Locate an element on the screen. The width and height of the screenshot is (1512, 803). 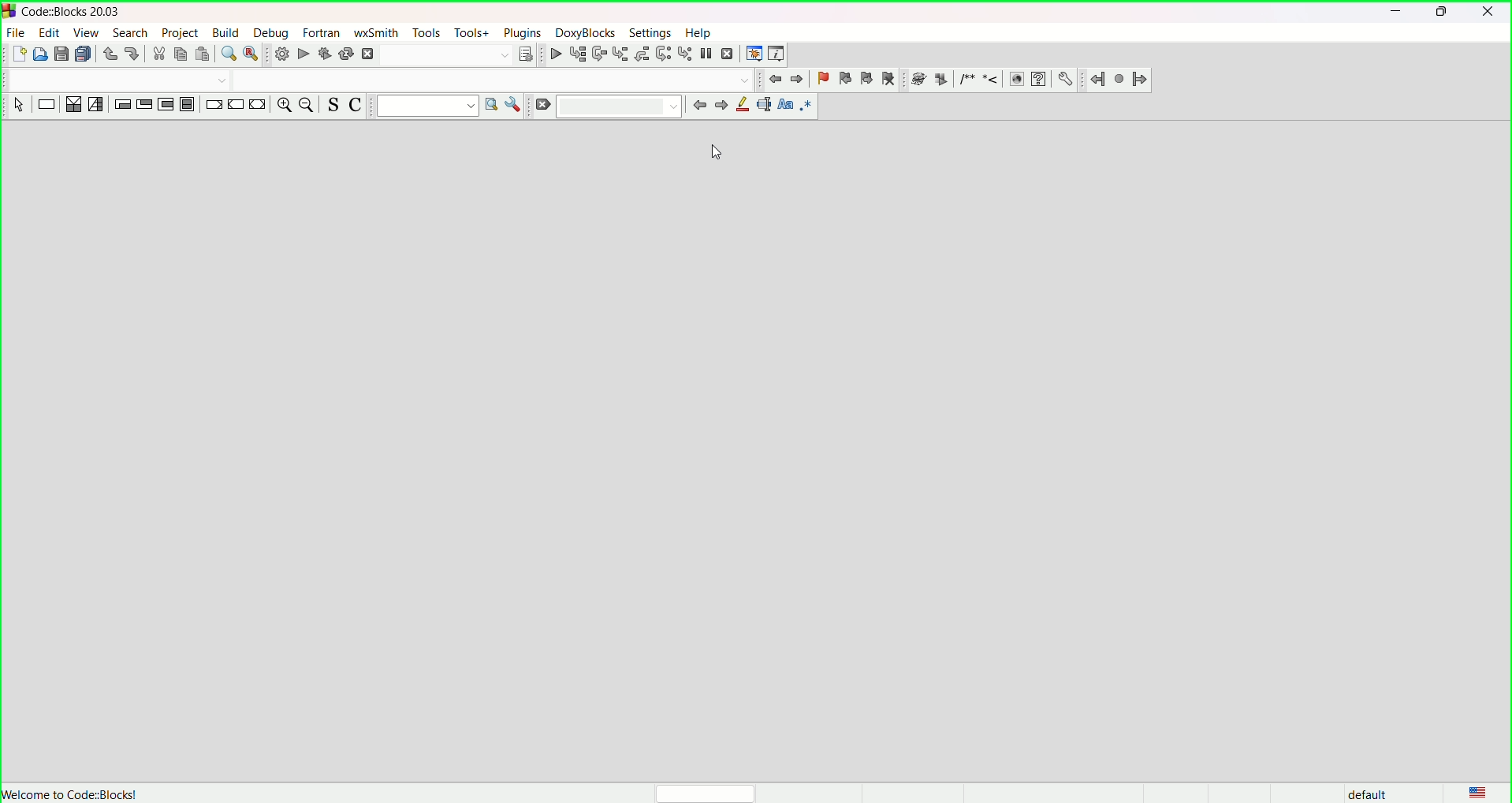
cursor is located at coordinates (713, 151).